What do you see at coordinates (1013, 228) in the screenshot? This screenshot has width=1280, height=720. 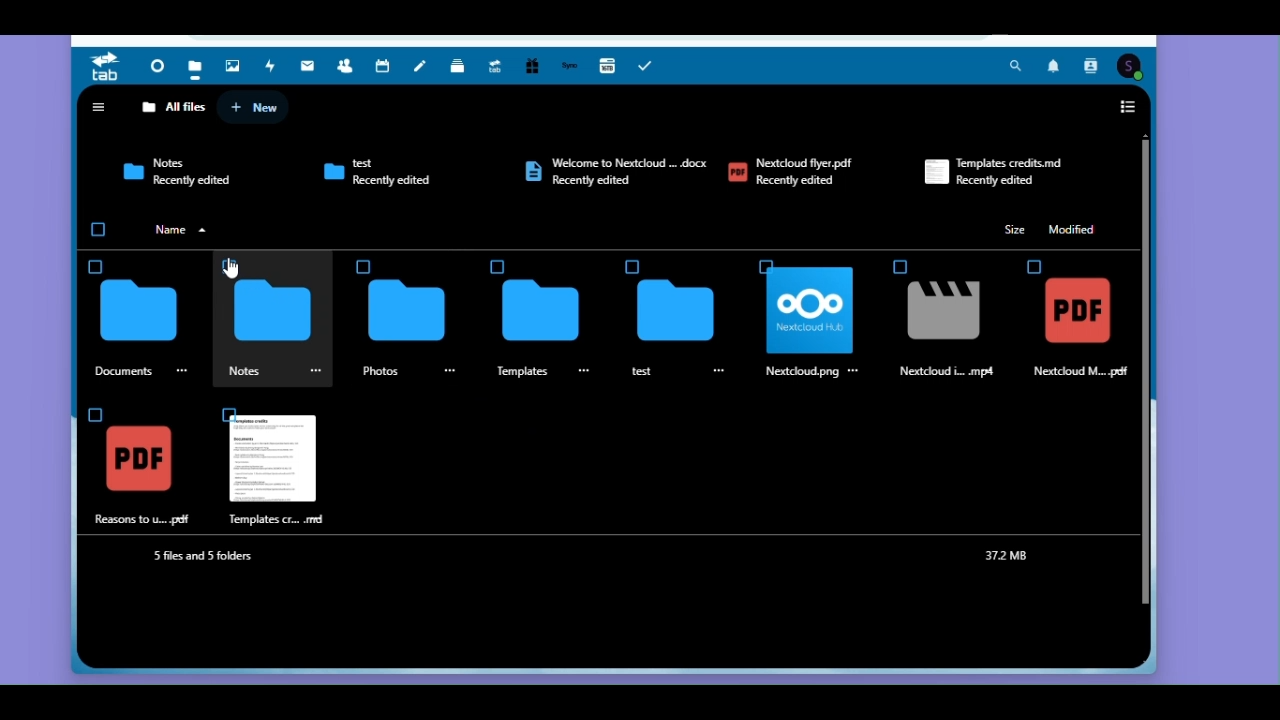 I see `Size` at bounding box center [1013, 228].